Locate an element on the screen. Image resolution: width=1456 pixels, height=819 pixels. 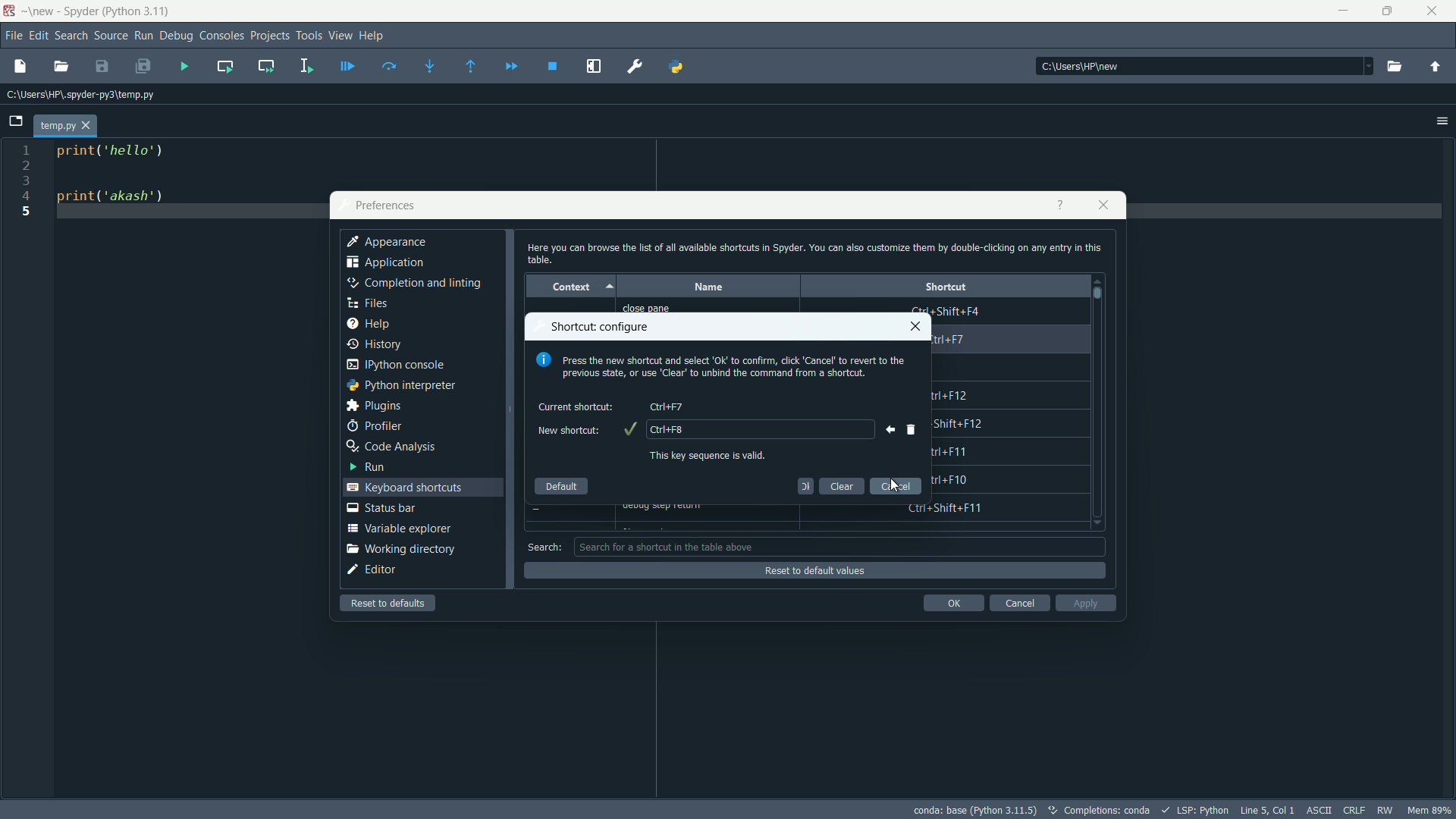
cancel is located at coordinates (896, 485).